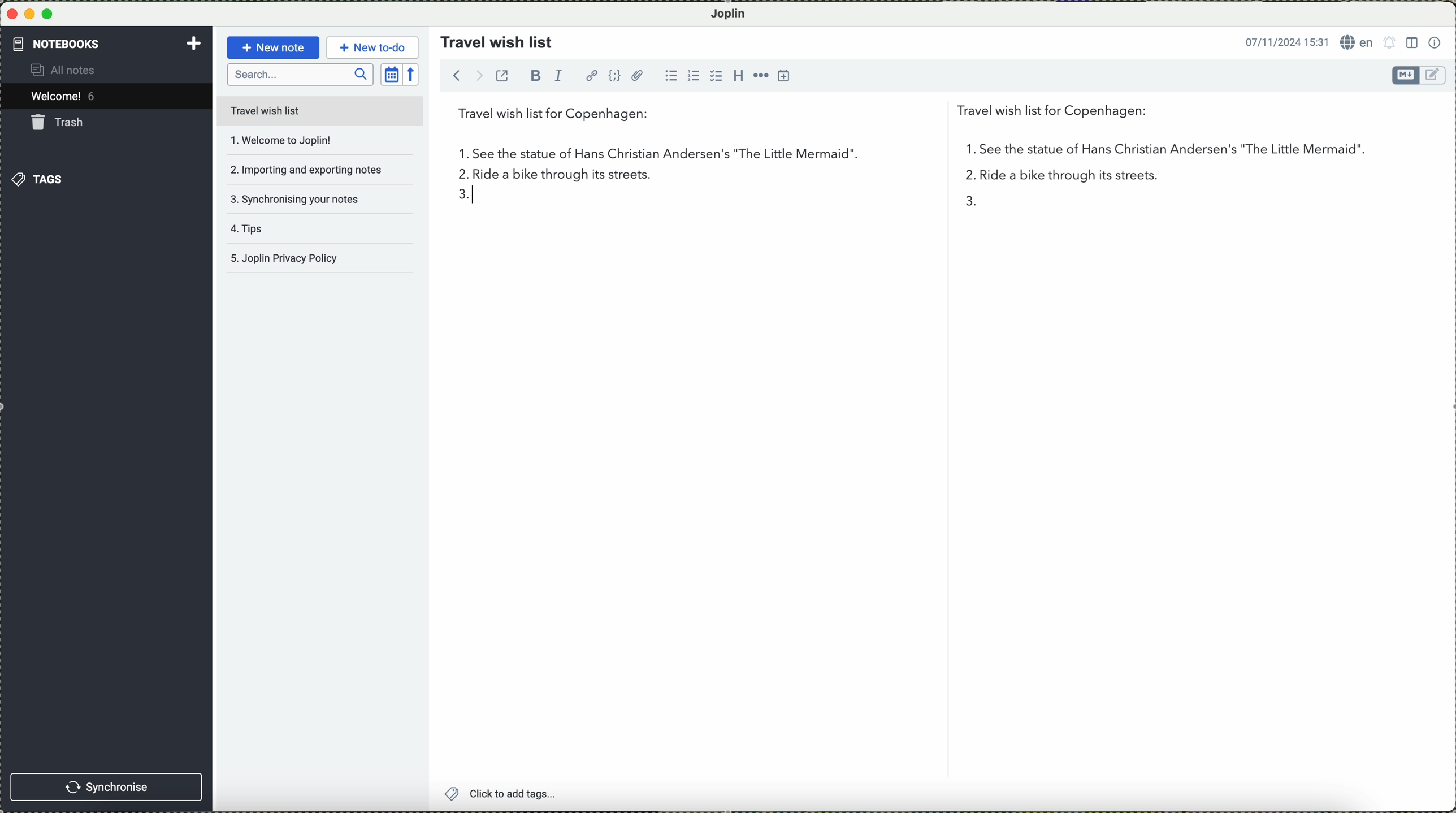  What do you see at coordinates (300, 75) in the screenshot?
I see `search bar` at bounding box center [300, 75].